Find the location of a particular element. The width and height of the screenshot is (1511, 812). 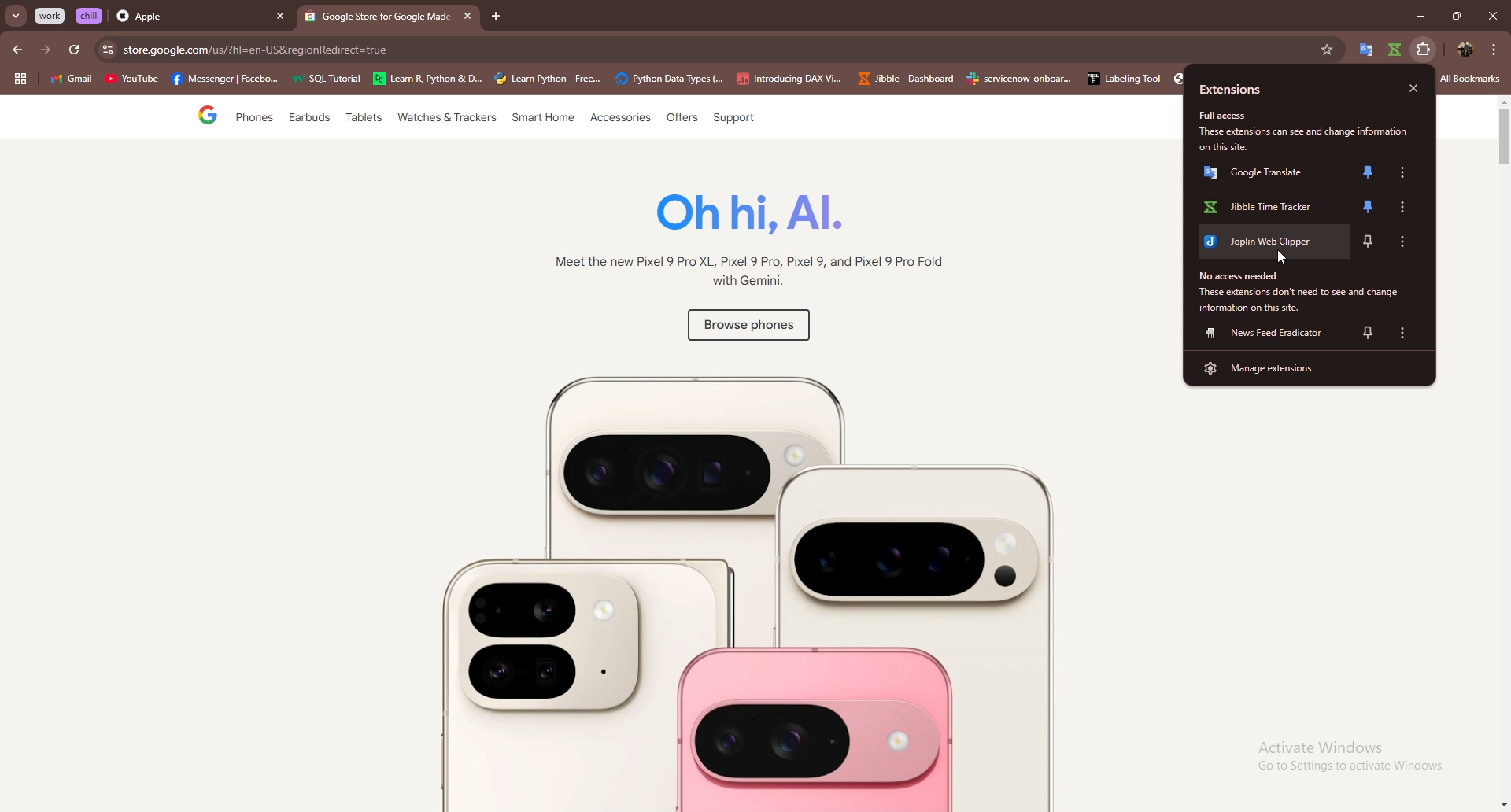

back is located at coordinates (19, 50).